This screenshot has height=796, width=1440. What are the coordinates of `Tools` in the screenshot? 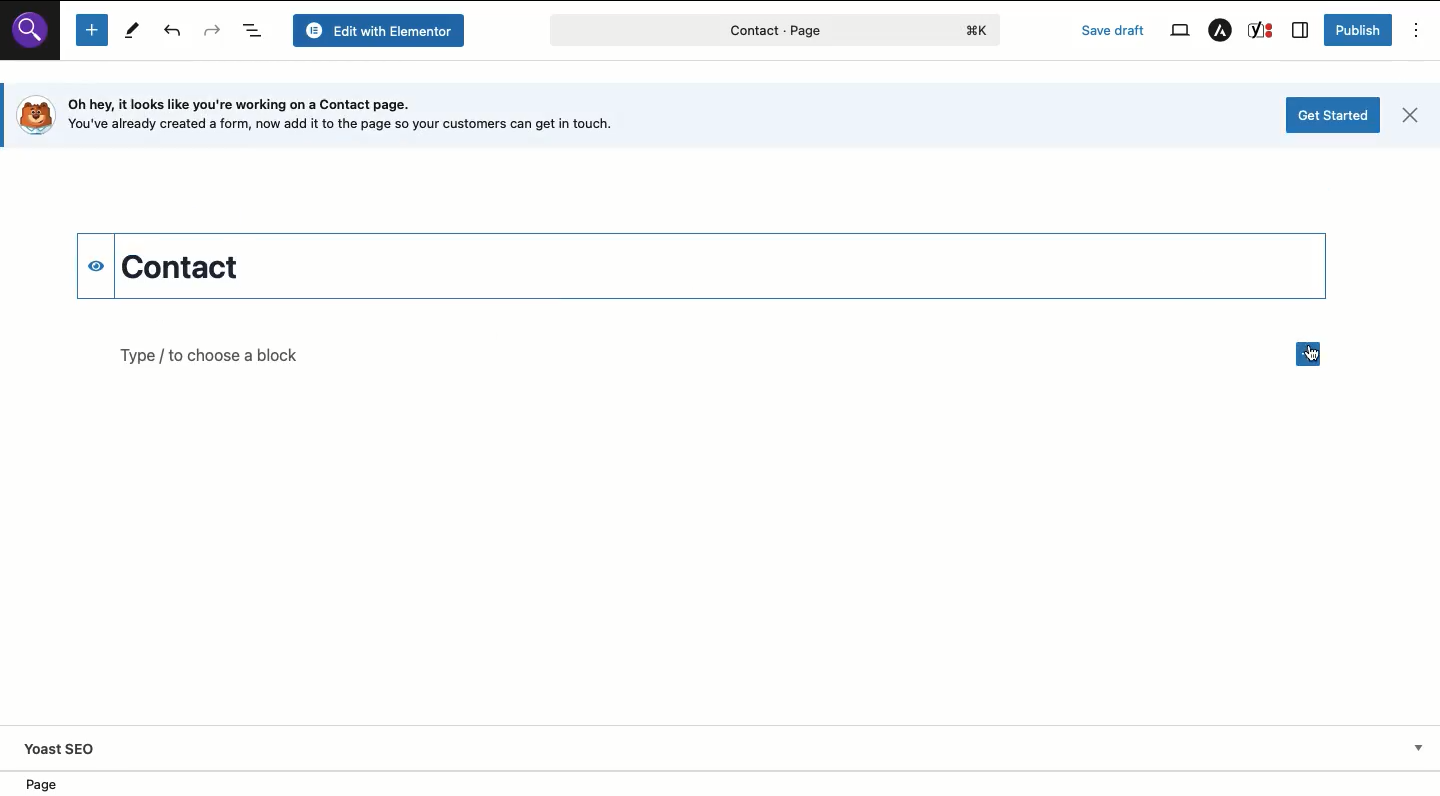 It's located at (130, 30).